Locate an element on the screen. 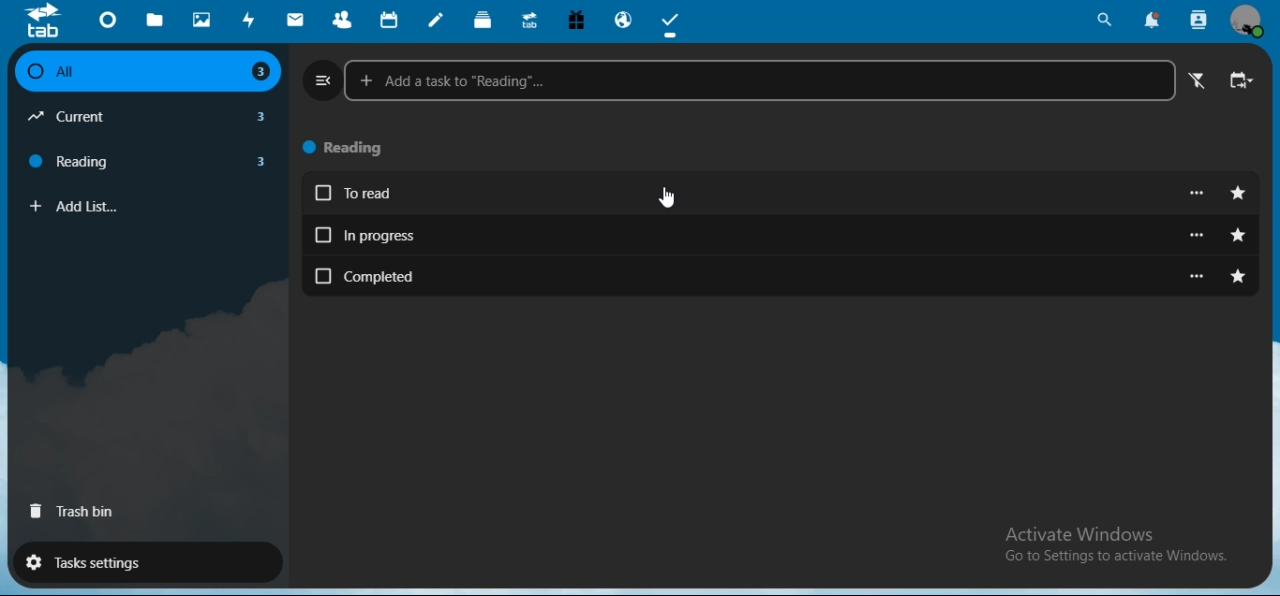 The height and width of the screenshot is (596, 1280). active filter is located at coordinates (1200, 83).